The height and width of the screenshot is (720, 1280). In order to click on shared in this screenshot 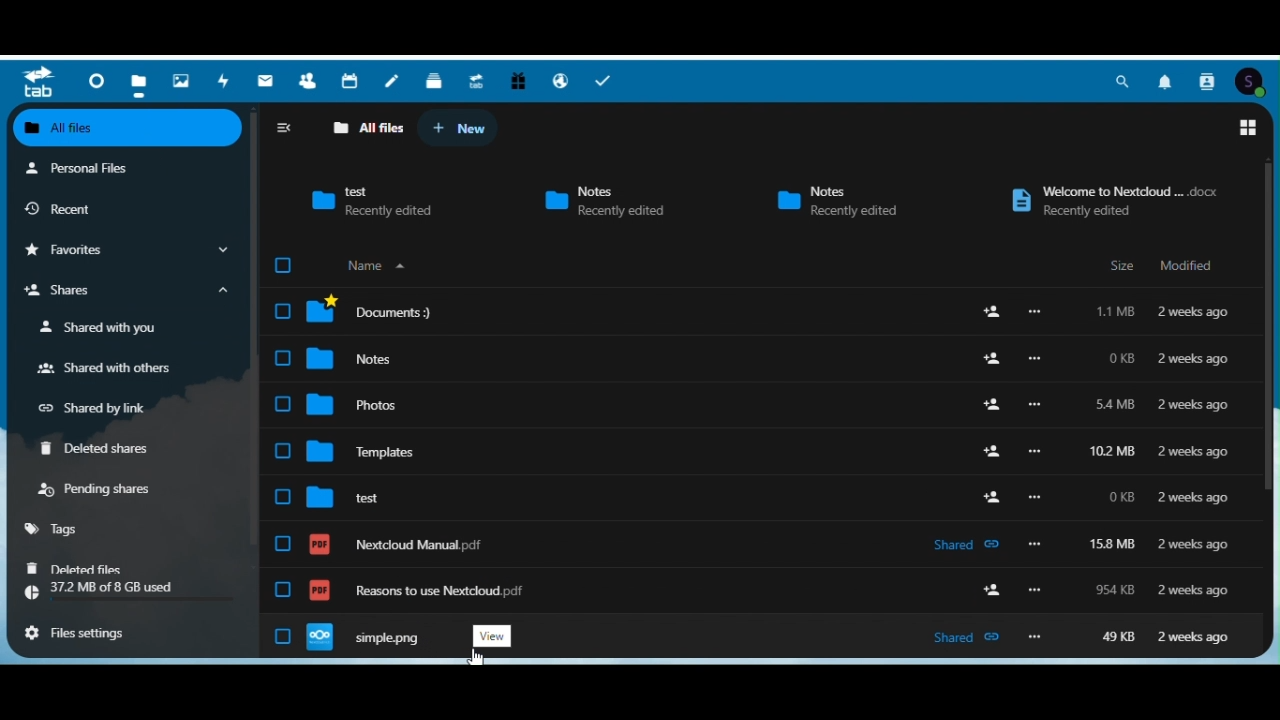, I will do `click(966, 545)`.